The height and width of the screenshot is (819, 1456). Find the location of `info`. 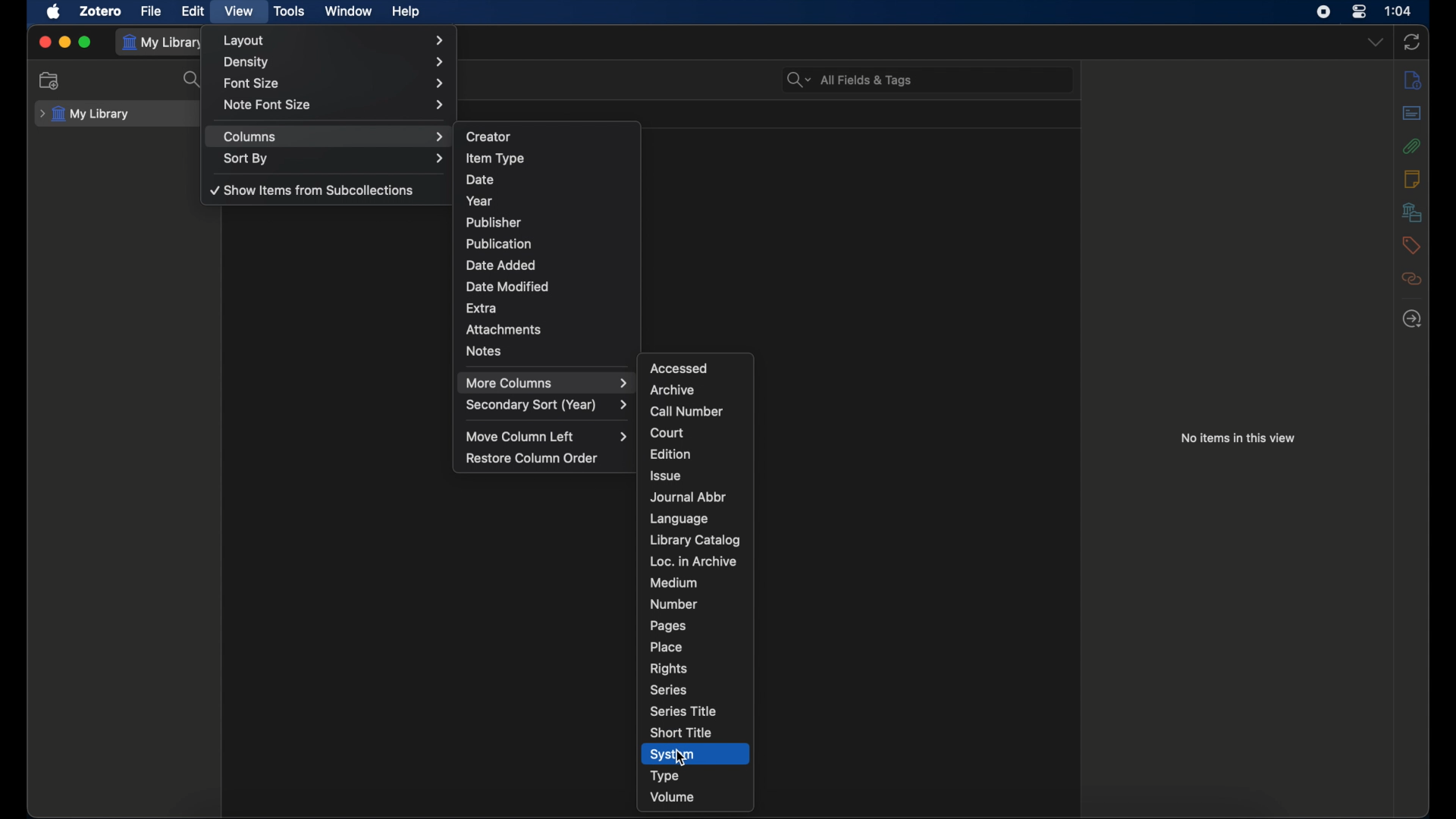

info is located at coordinates (1411, 81).